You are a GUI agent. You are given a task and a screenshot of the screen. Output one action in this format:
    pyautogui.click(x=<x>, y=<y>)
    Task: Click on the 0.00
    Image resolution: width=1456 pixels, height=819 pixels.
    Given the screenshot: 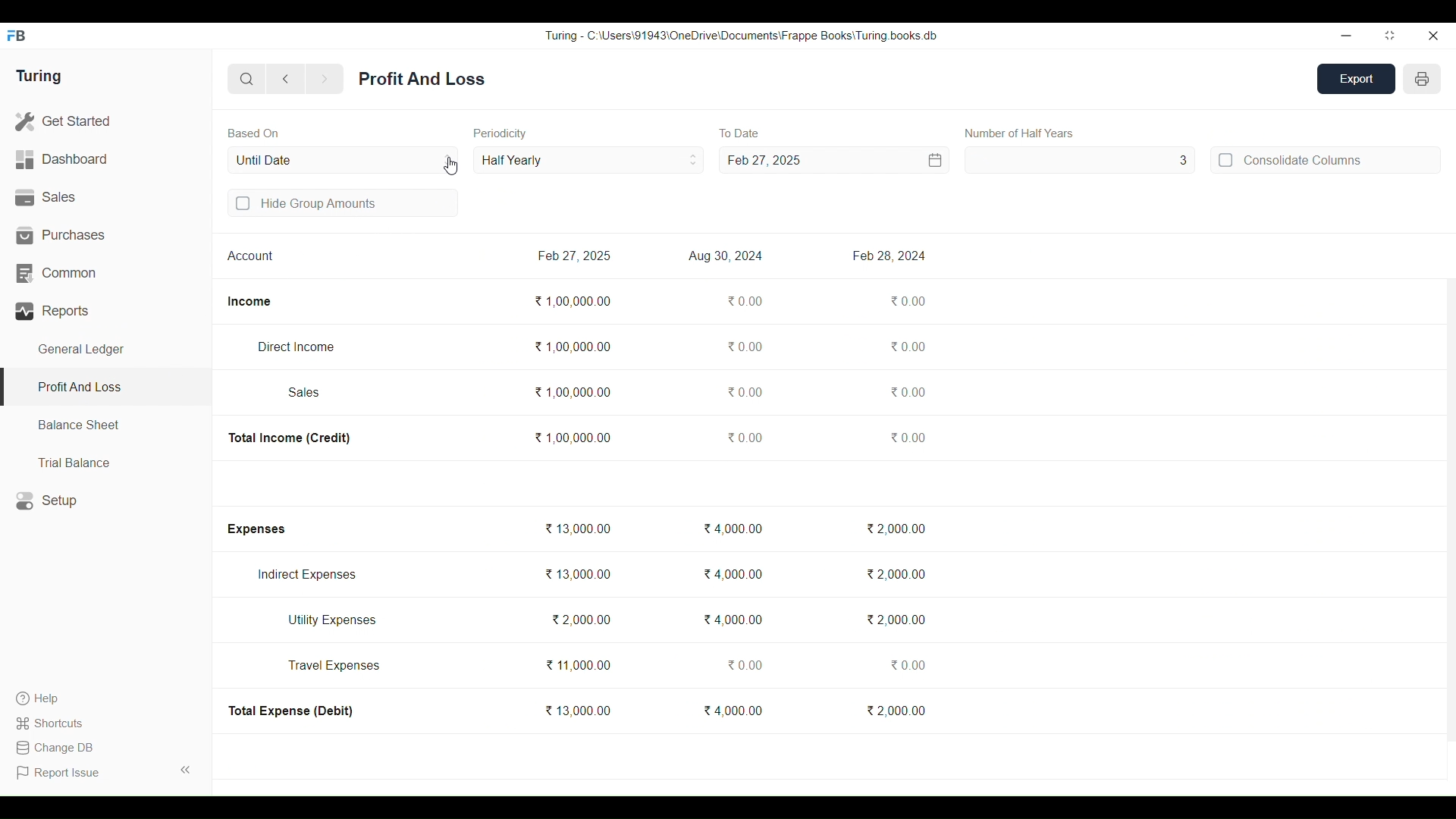 What is the action you would take?
    pyautogui.click(x=743, y=391)
    